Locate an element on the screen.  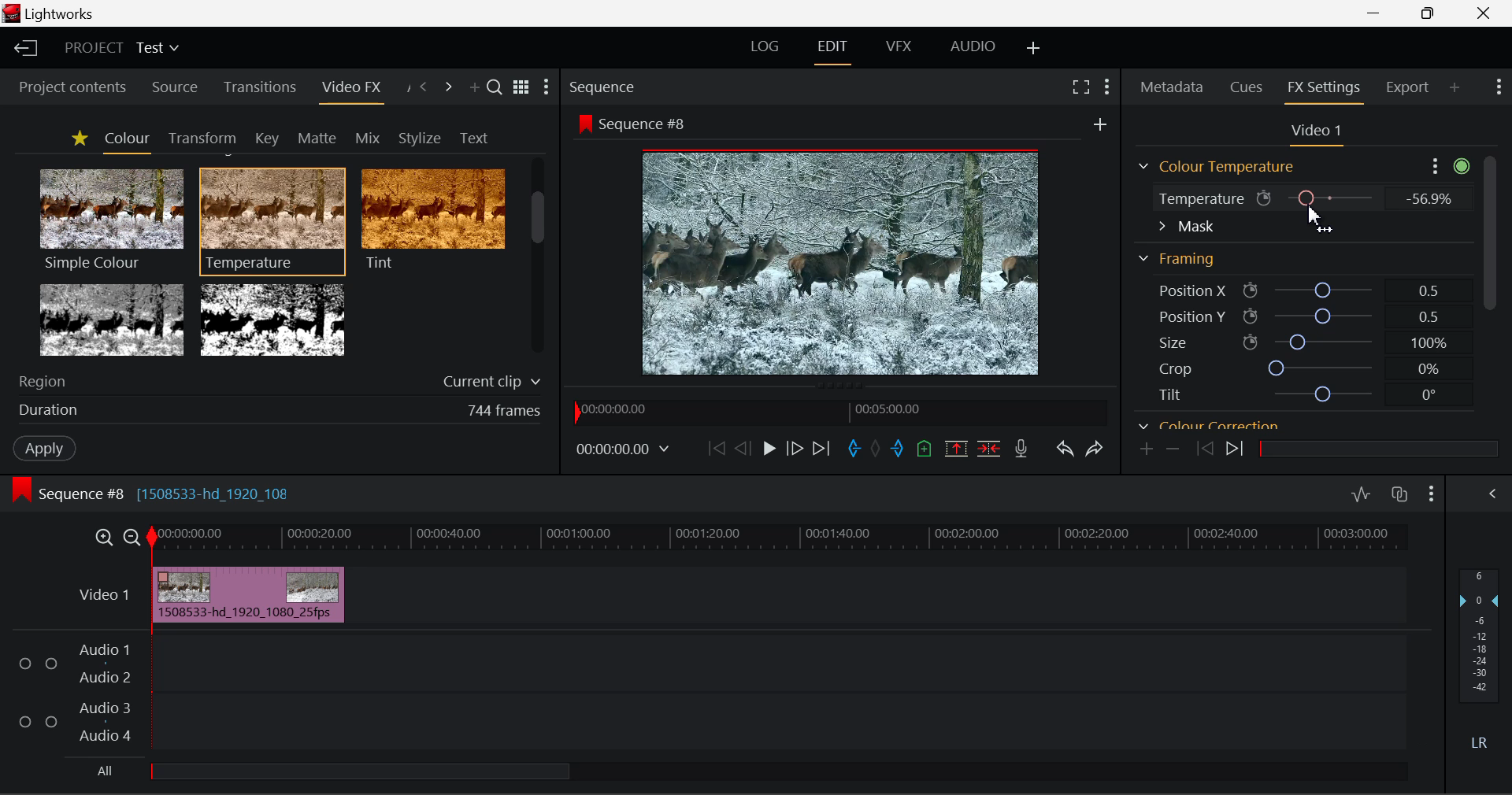
LOG Layout is located at coordinates (767, 46).